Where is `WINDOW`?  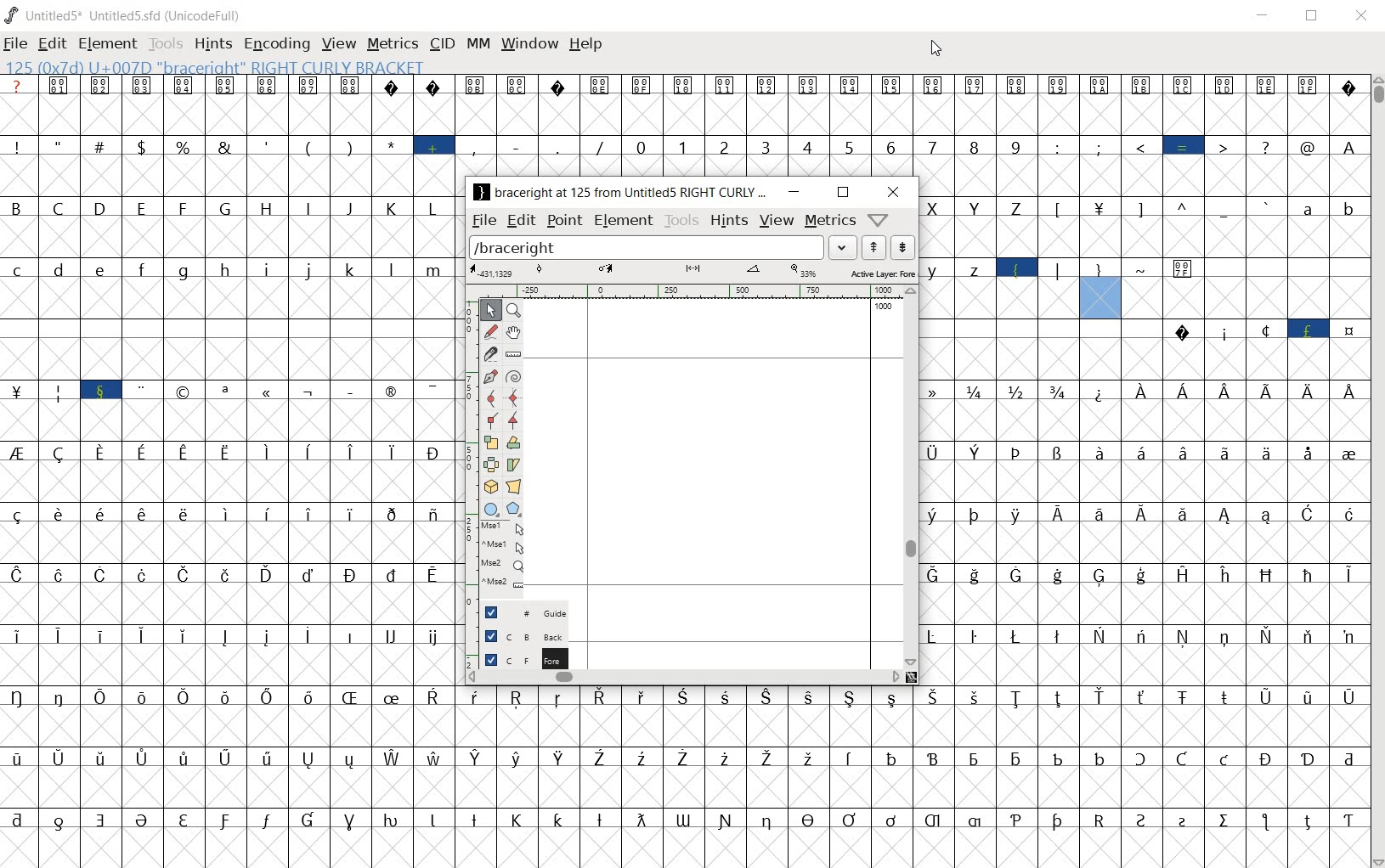 WINDOW is located at coordinates (530, 42).